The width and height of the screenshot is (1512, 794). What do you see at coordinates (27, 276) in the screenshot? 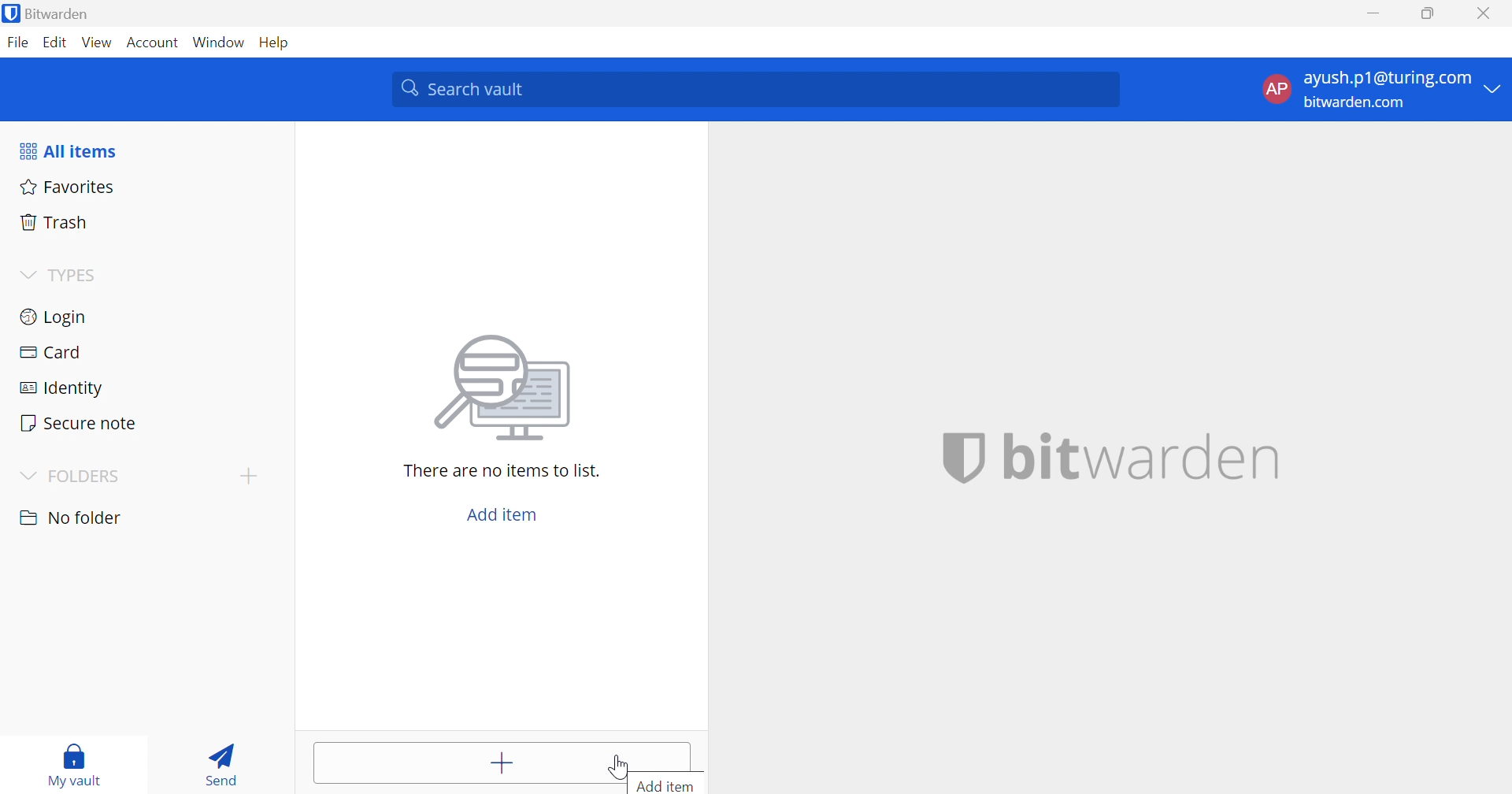
I see `Drop Down` at bounding box center [27, 276].